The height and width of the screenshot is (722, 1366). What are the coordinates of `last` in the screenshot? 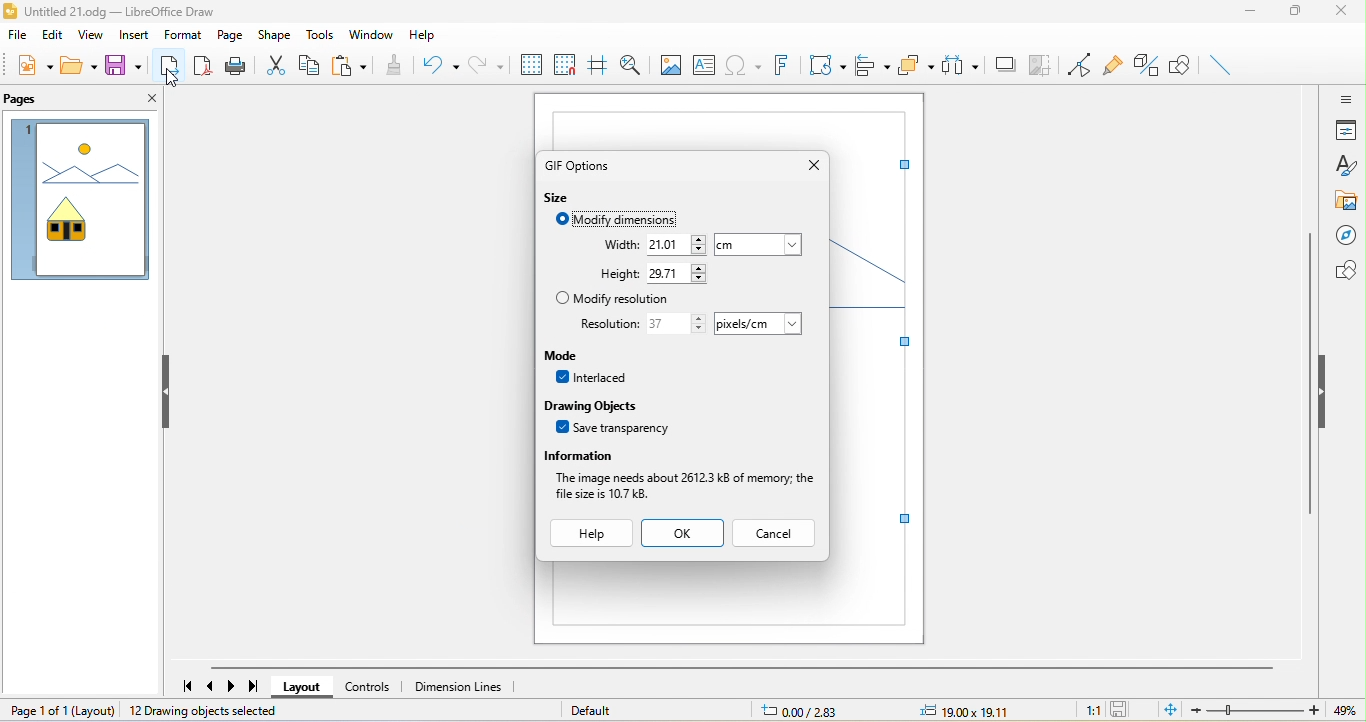 It's located at (254, 687).